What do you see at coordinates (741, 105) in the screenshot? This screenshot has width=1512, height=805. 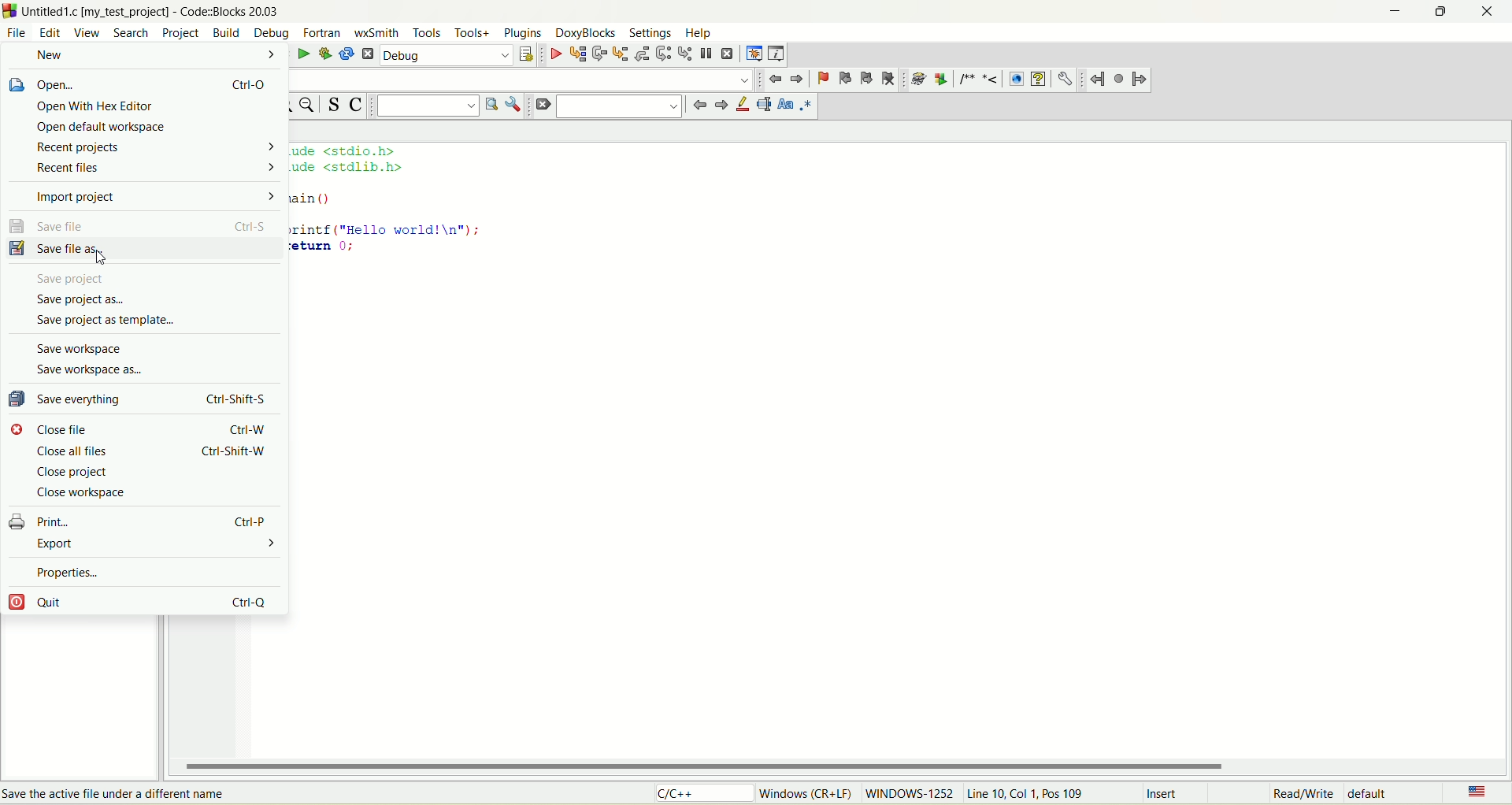 I see `highlight` at bounding box center [741, 105].